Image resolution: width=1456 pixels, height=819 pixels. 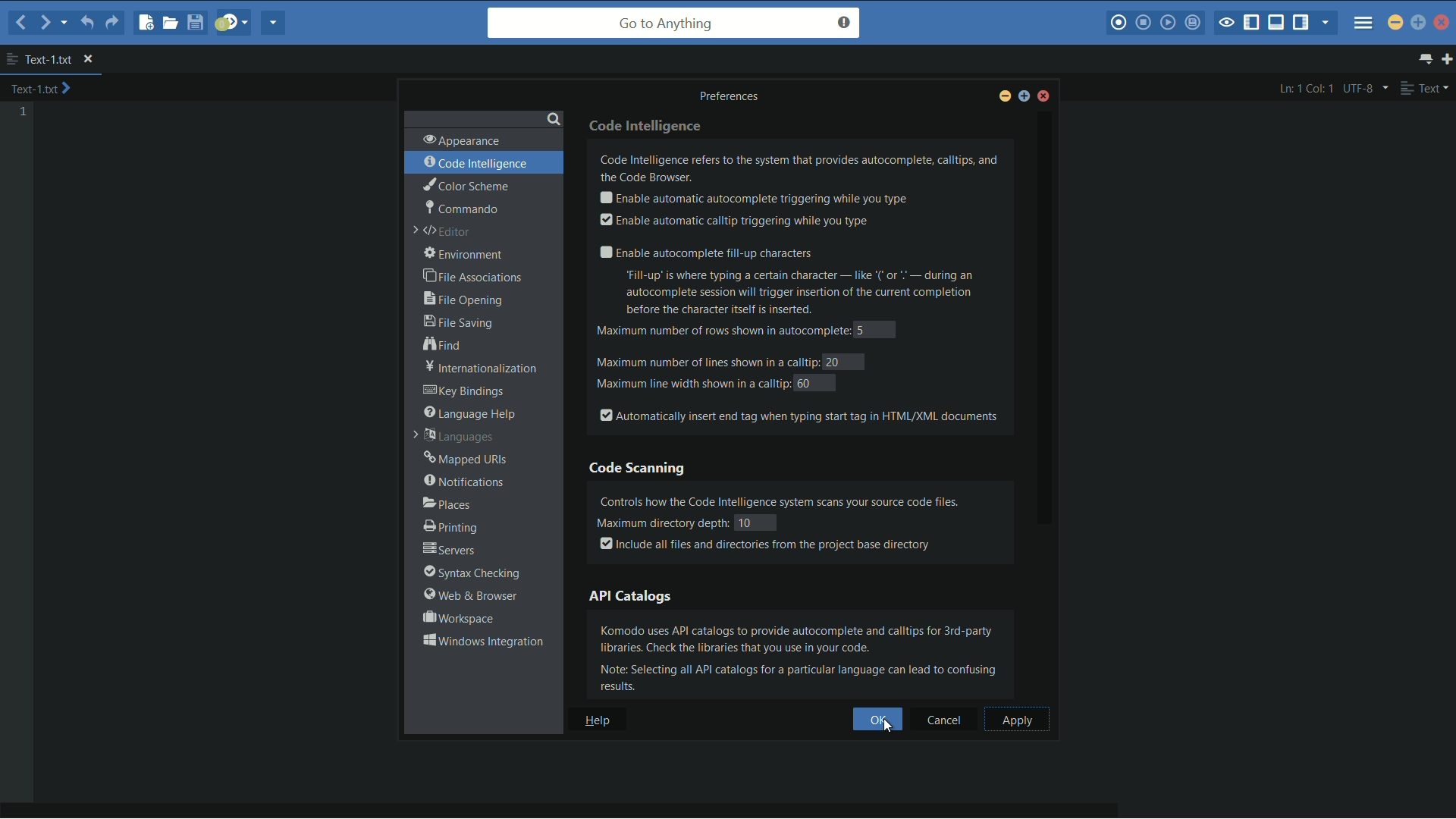 I want to click on Include all files and directories from the project base directory, so click(x=767, y=545).